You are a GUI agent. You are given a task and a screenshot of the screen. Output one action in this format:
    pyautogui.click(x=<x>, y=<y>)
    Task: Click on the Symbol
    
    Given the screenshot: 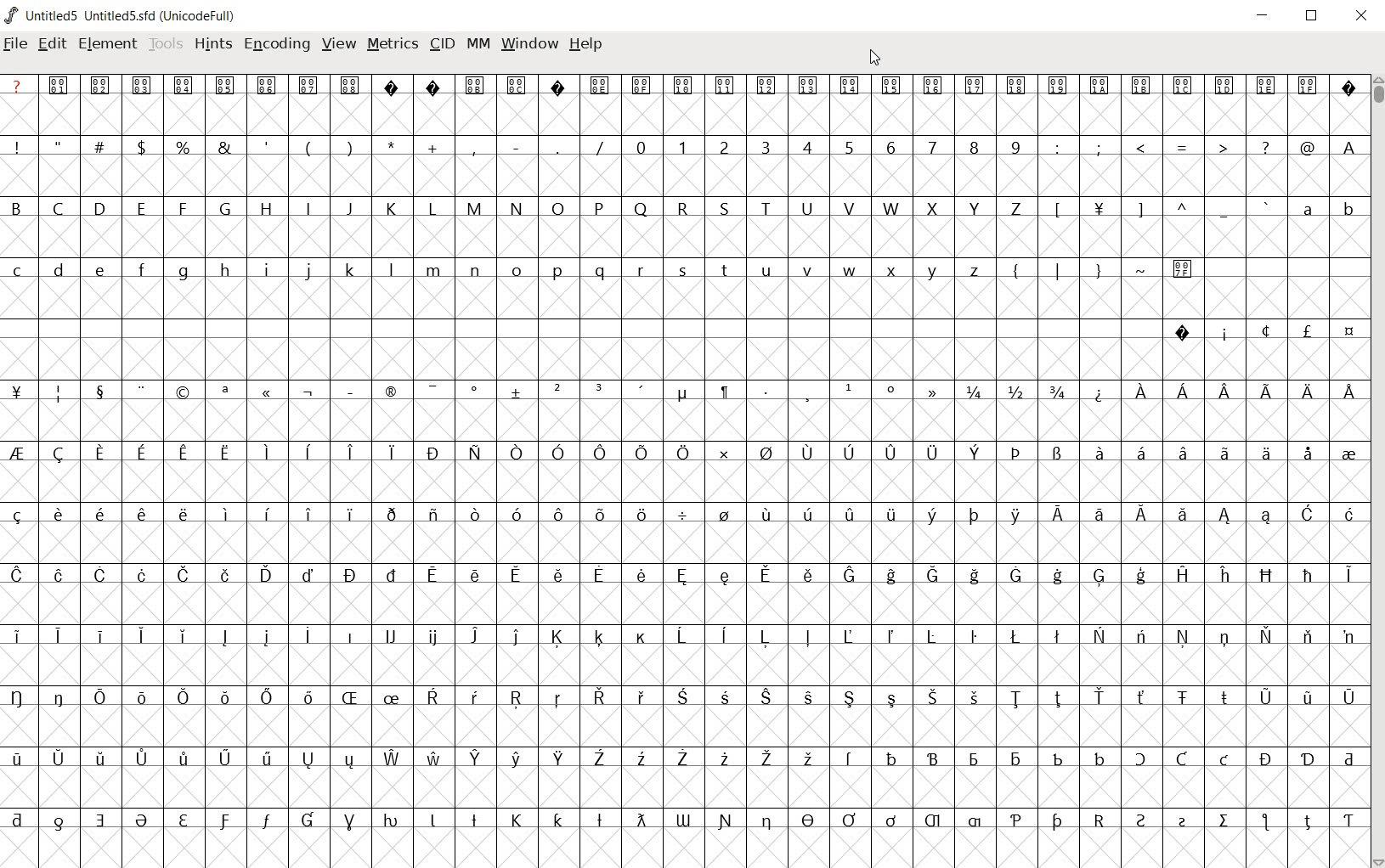 What is the action you would take?
    pyautogui.click(x=851, y=759)
    